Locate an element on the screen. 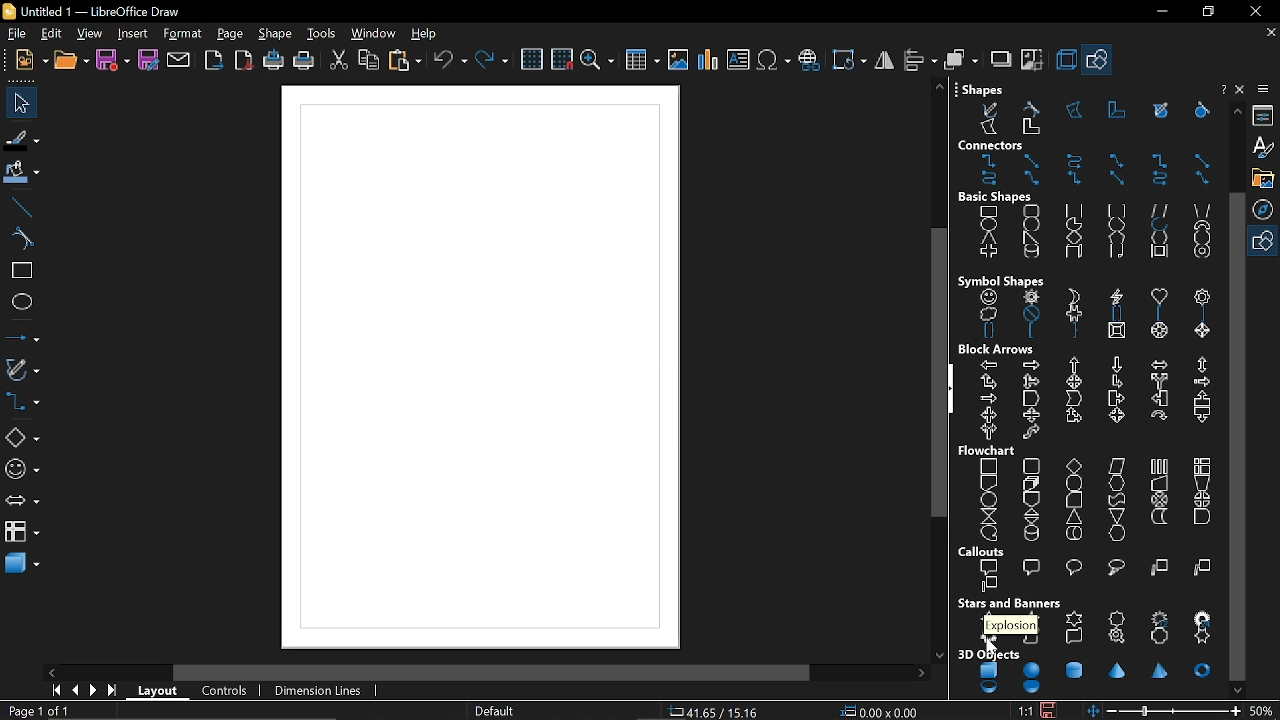  tools is located at coordinates (322, 34).